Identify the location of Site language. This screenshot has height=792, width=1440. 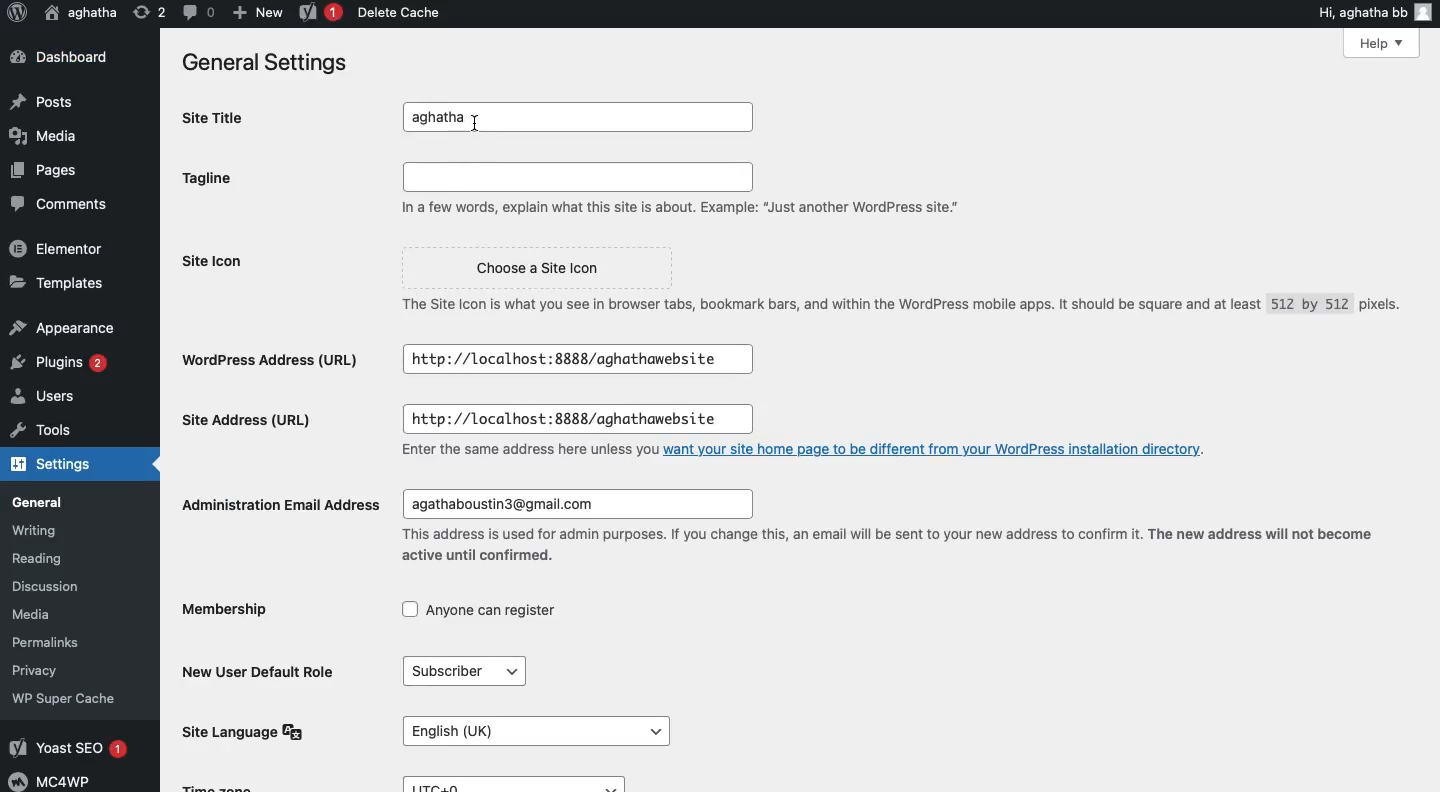
(251, 731).